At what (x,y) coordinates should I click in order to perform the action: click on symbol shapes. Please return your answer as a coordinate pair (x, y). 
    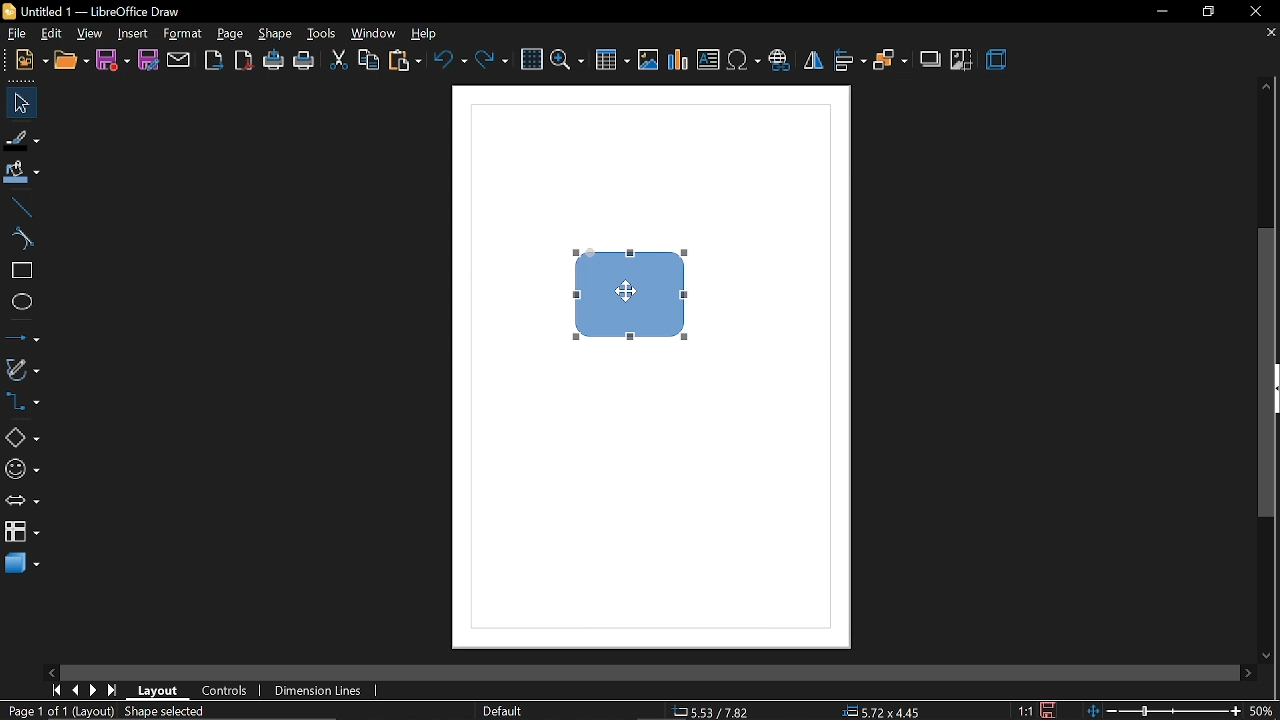
    Looking at the image, I should click on (21, 469).